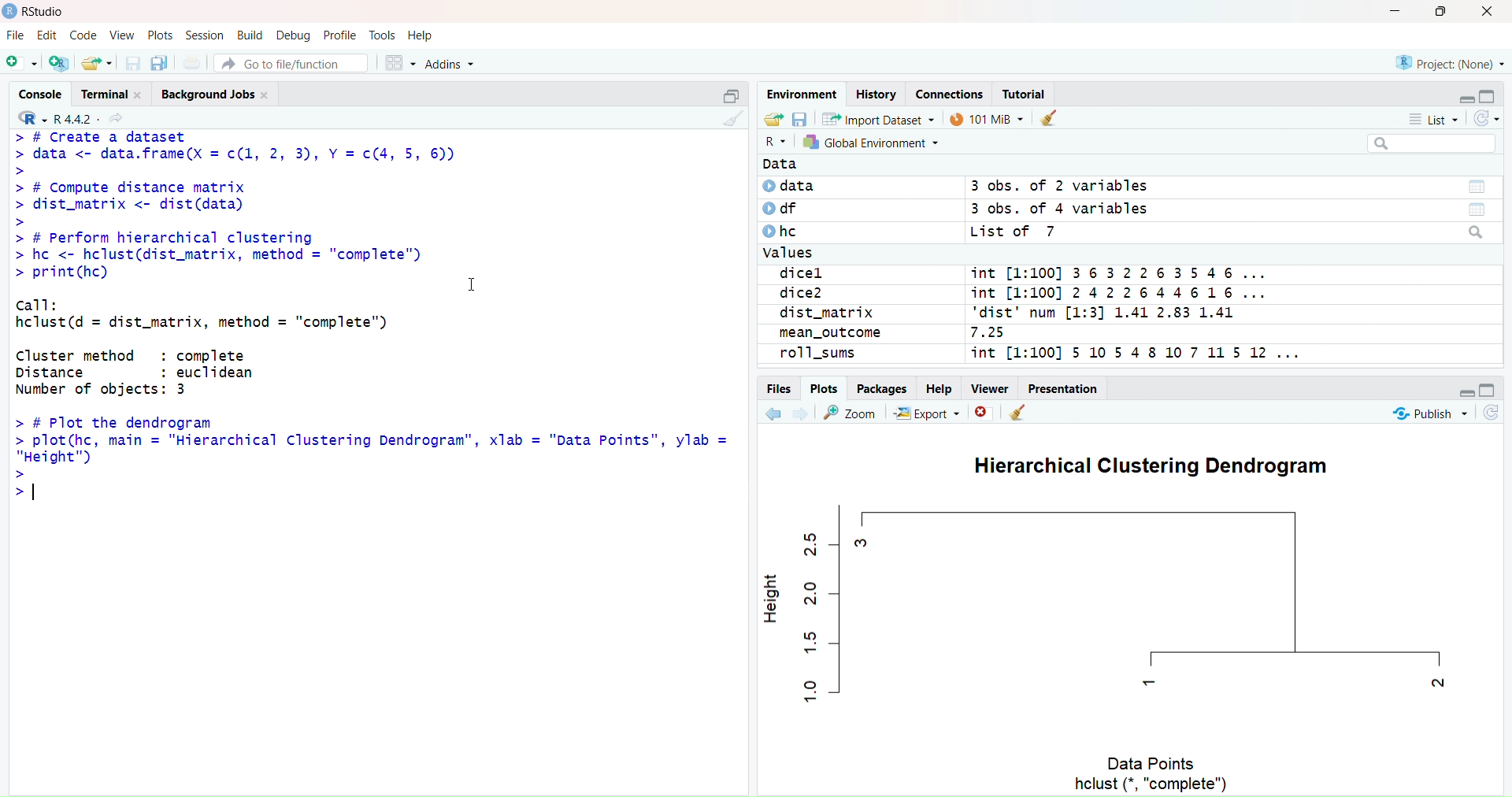  What do you see at coordinates (97, 61) in the screenshot?
I see `Open an existing file (Ctrl + O)` at bounding box center [97, 61].